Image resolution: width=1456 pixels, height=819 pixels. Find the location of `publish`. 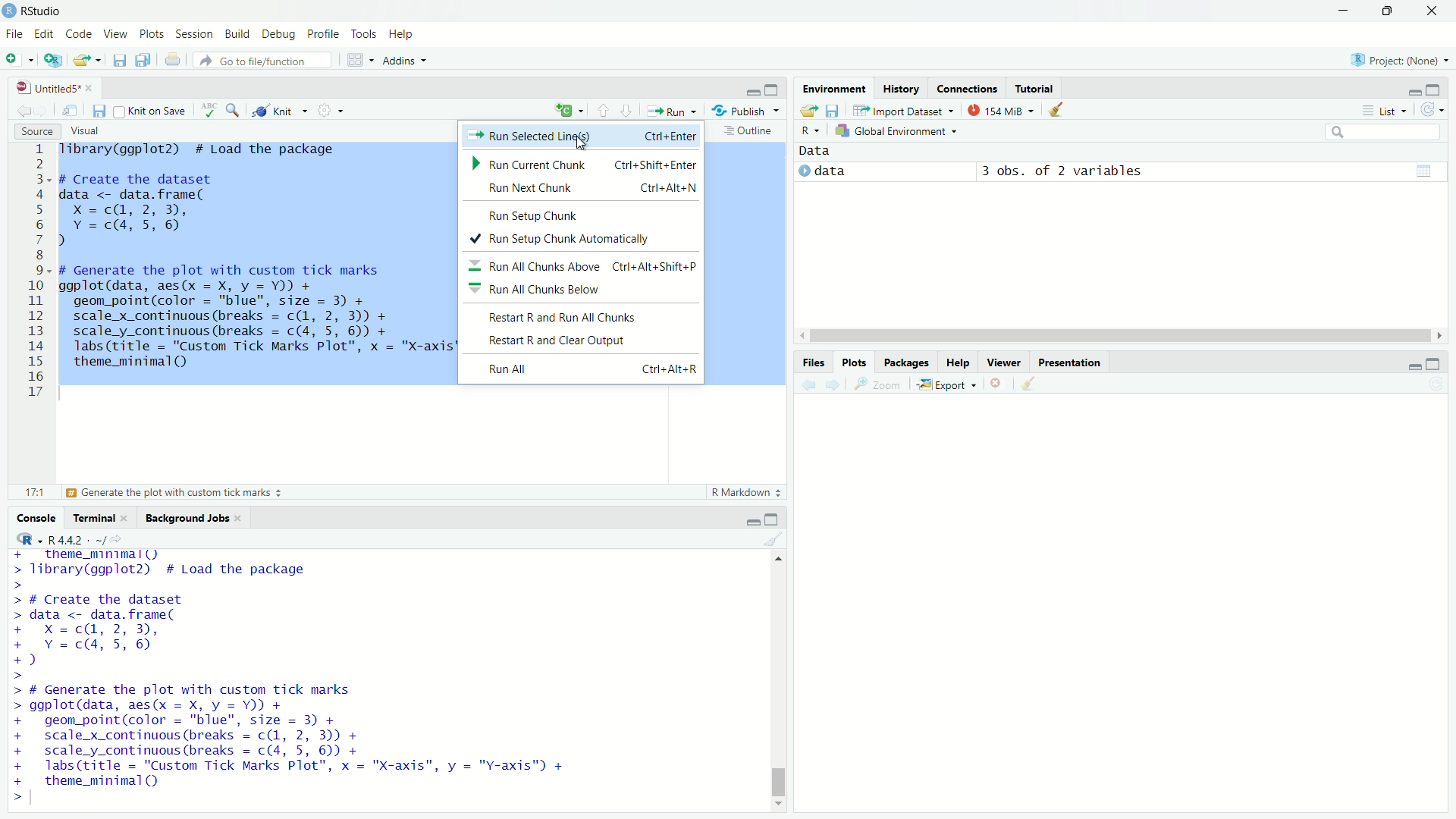

publish is located at coordinates (749, 112).